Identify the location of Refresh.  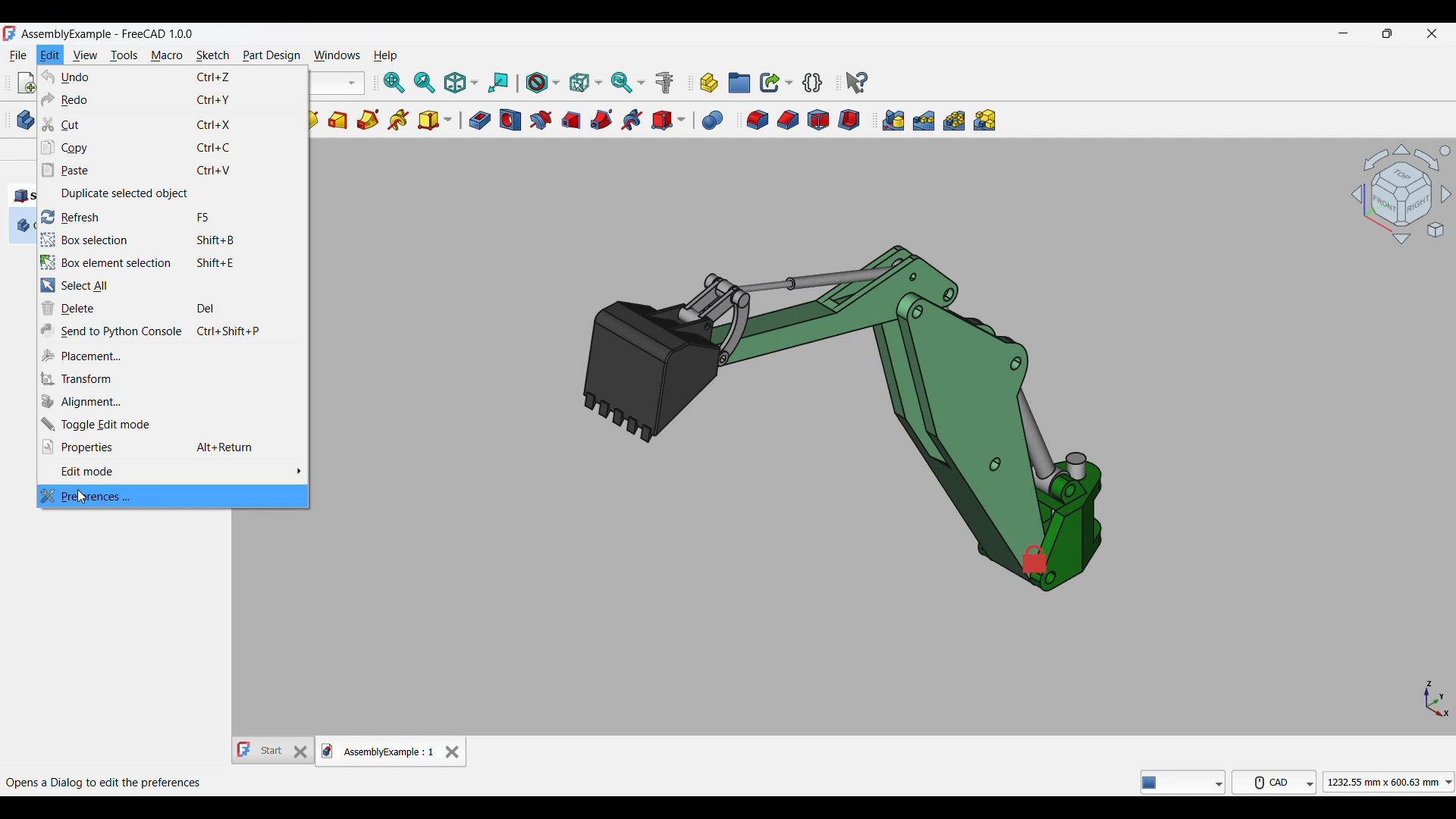
(173, 217).